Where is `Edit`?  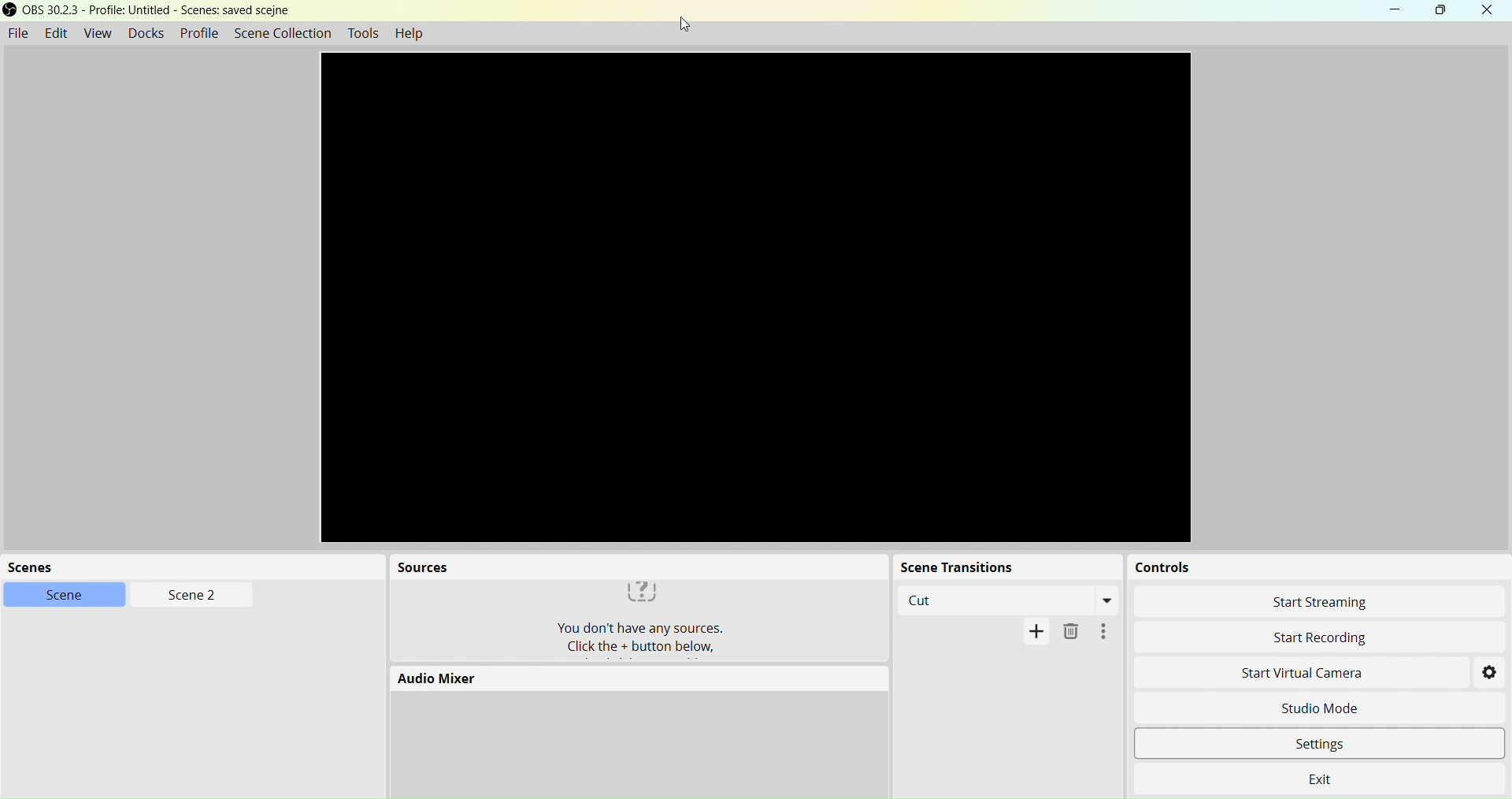
Edit is located at coordinates (57, 33).